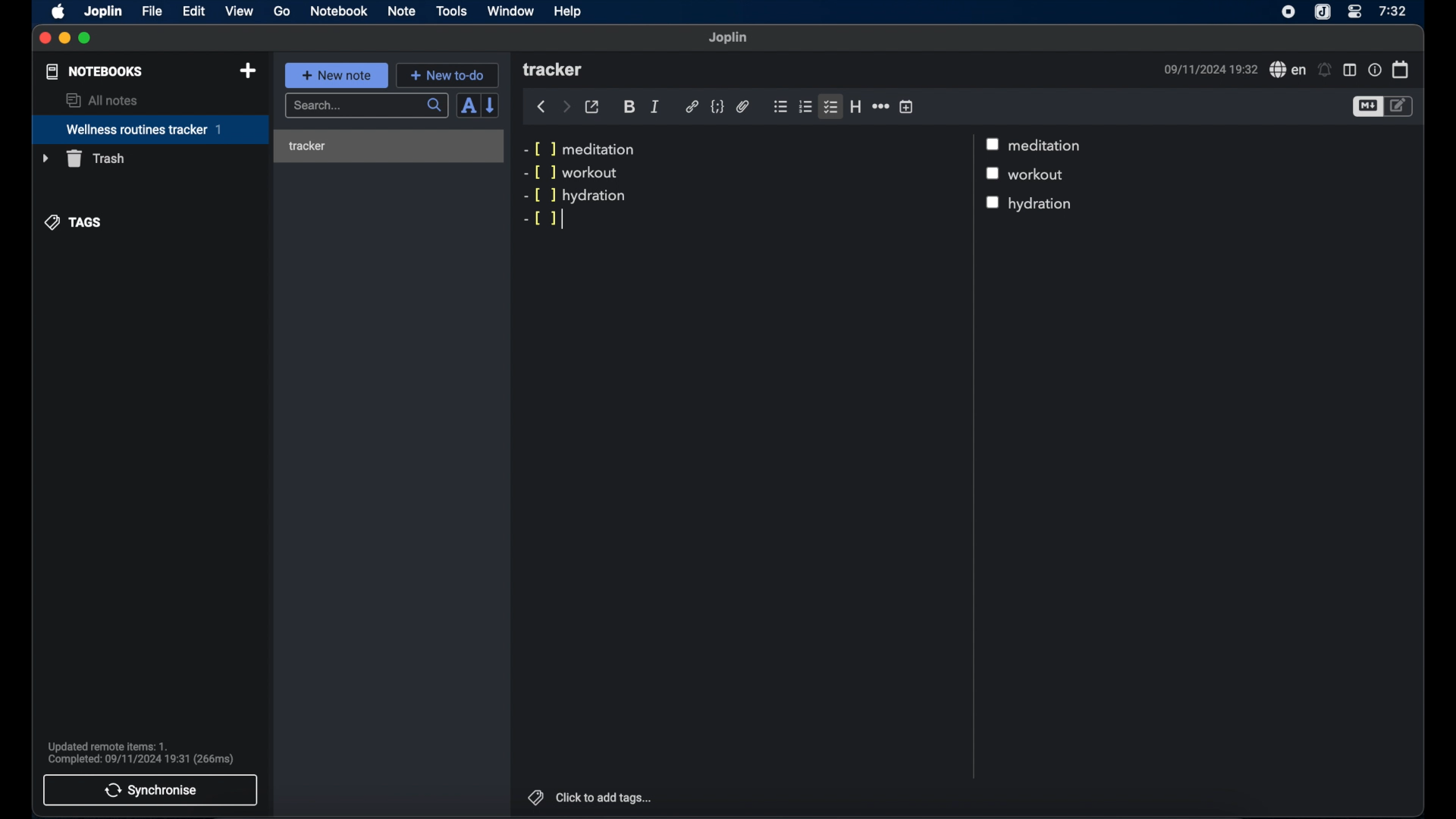  I want to click on control center, so click(1355, 12).